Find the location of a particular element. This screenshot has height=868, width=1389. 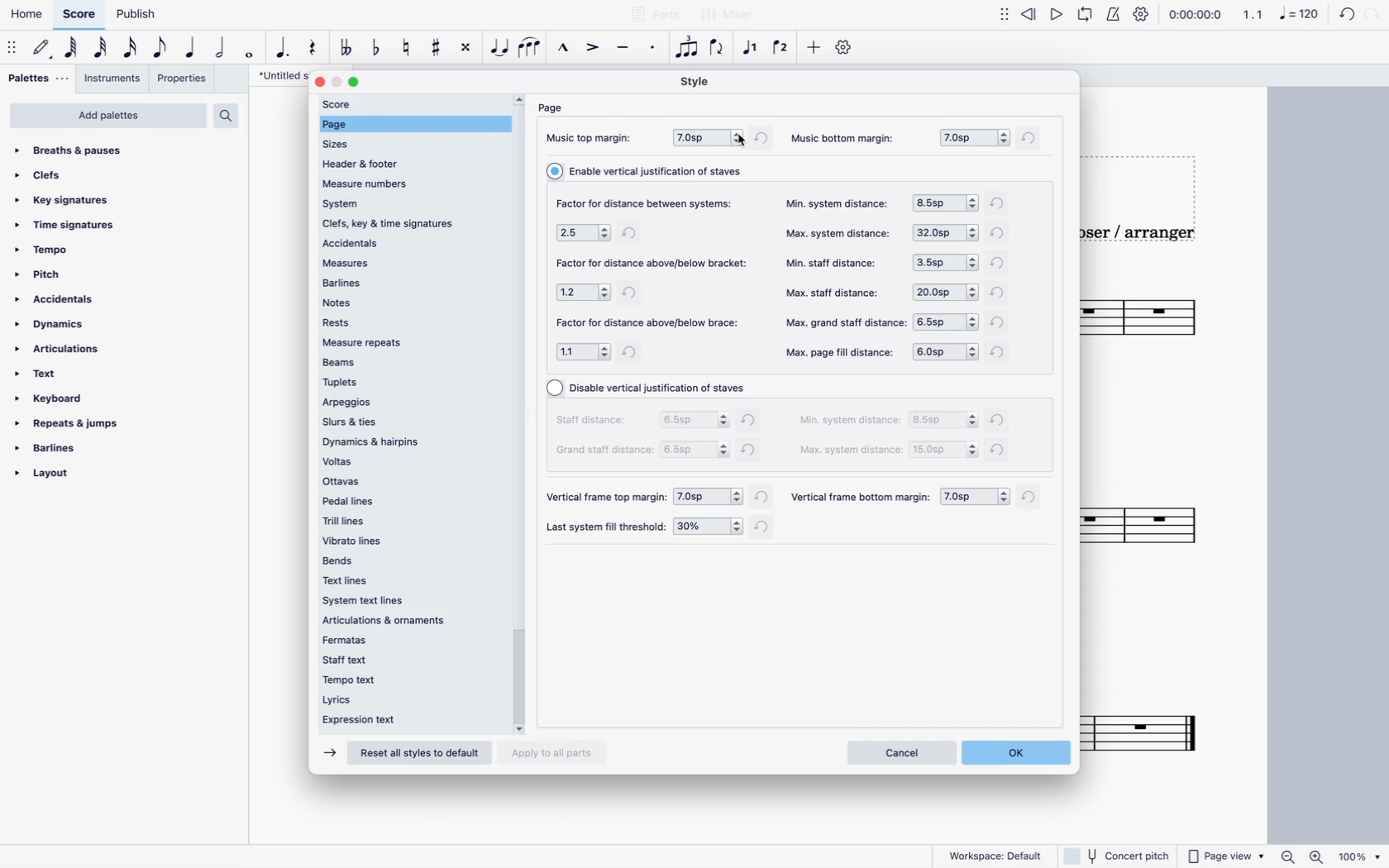

options is located at coordinates (945, 290).